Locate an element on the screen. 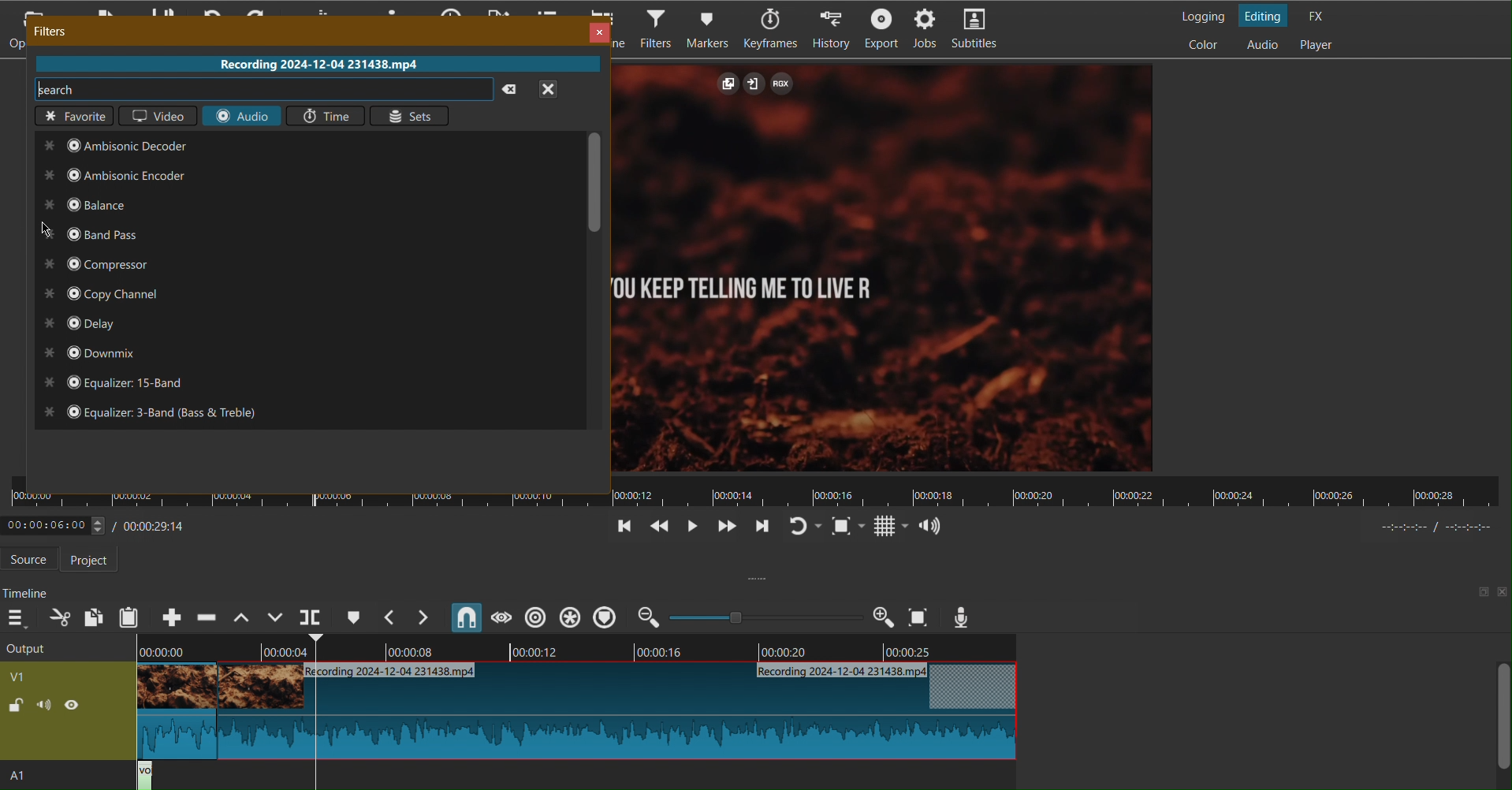 The height and width of the screenshot is (790, 1512). Filters is located at coordinates (51, 30).